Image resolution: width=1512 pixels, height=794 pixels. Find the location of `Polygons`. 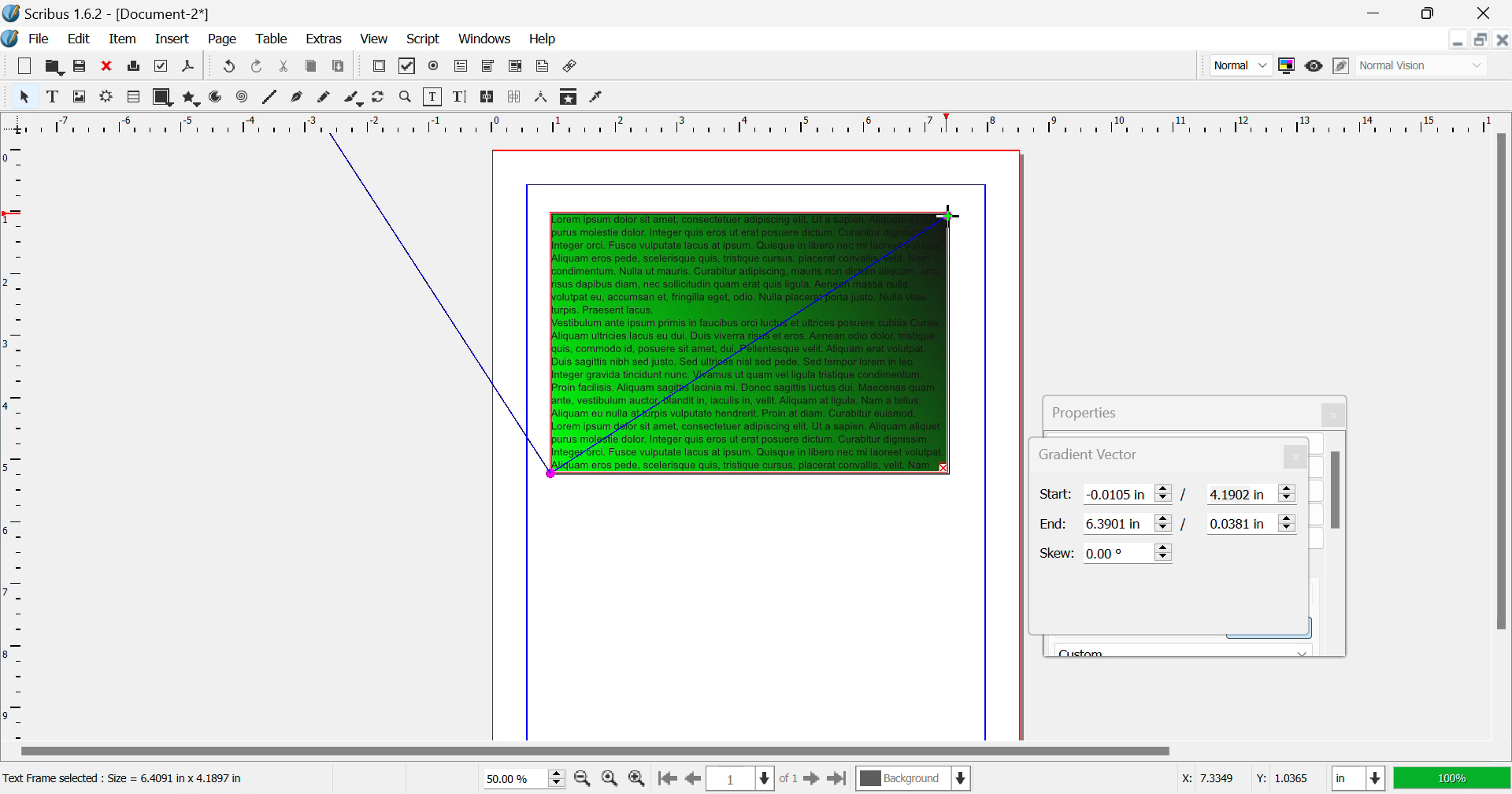

Polygons is located at coordinates (190, 98).